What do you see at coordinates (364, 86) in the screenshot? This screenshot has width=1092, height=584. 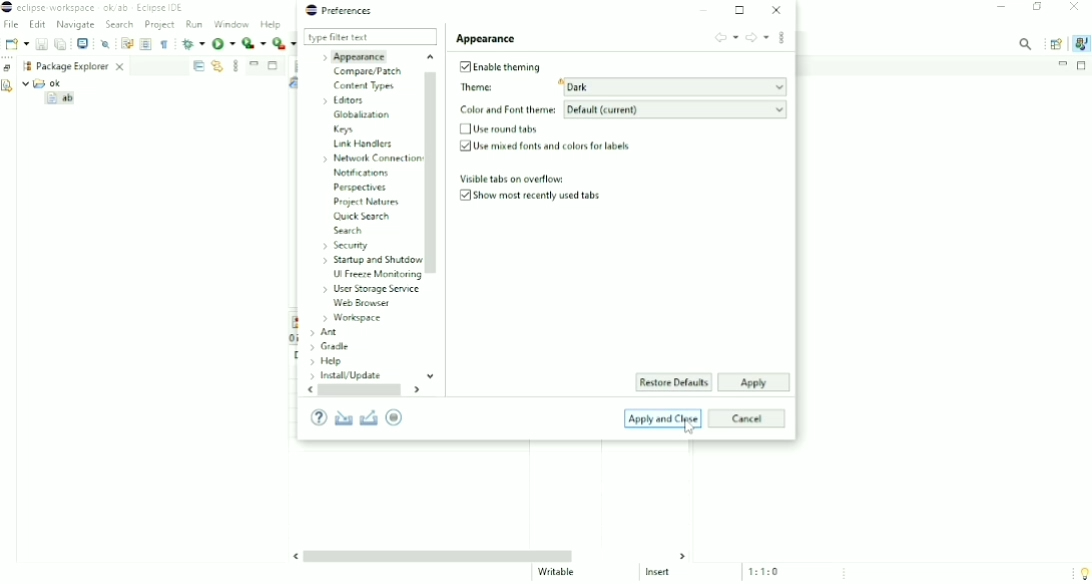 I see `Content Types` at bounding box center [364, 86].